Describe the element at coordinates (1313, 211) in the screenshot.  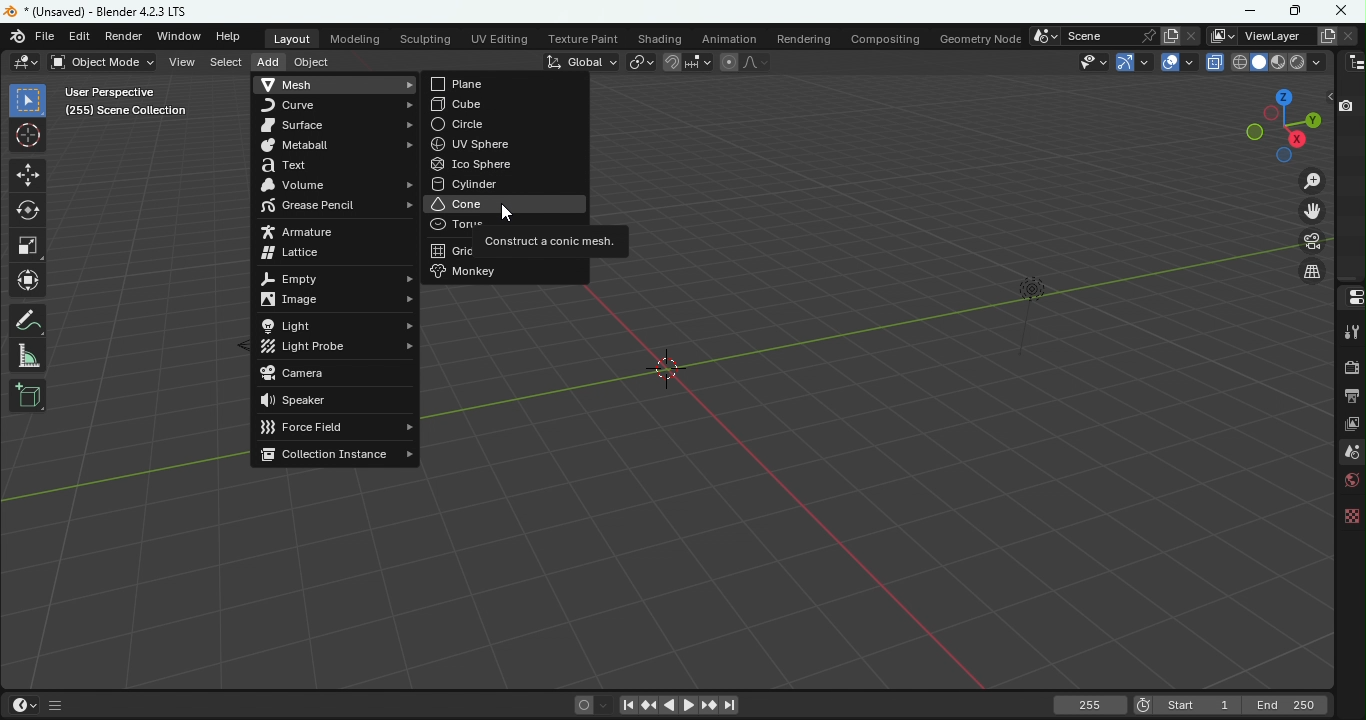
I see `Move he view` at that location.